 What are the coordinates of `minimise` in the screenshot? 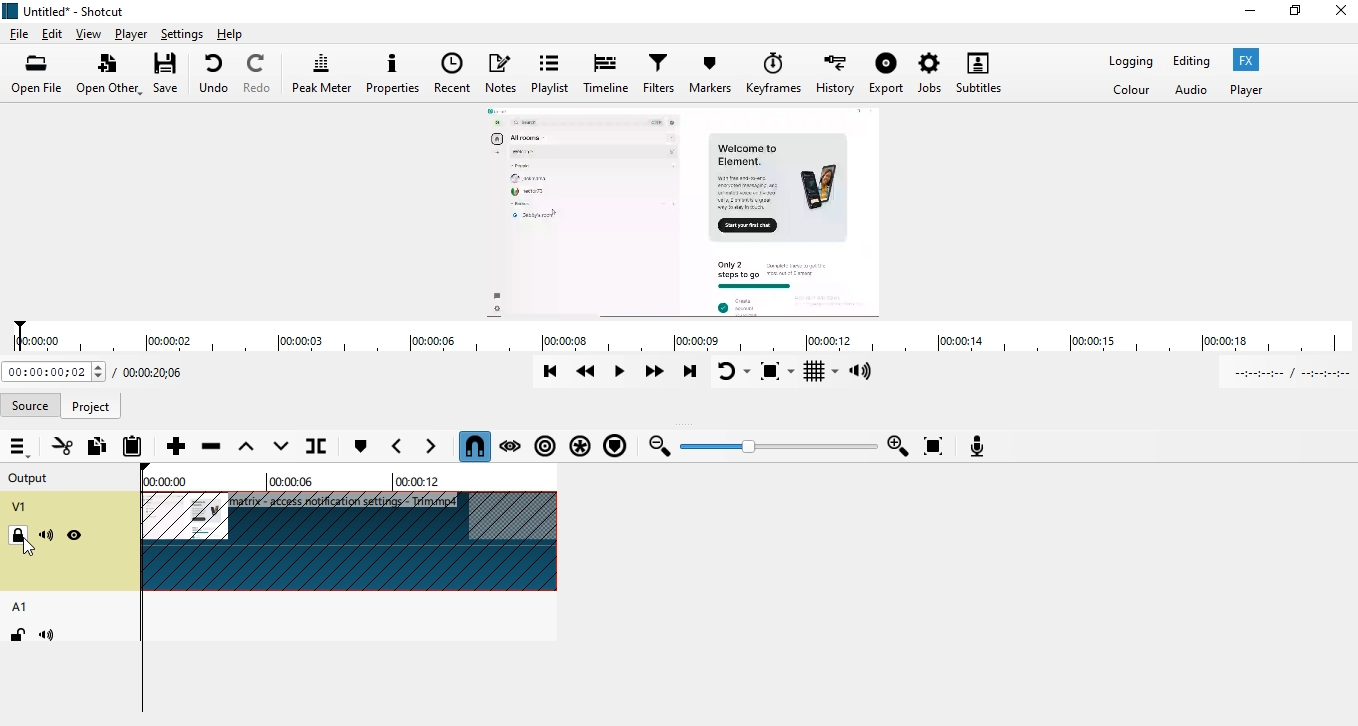 It's located at (1252, 8).